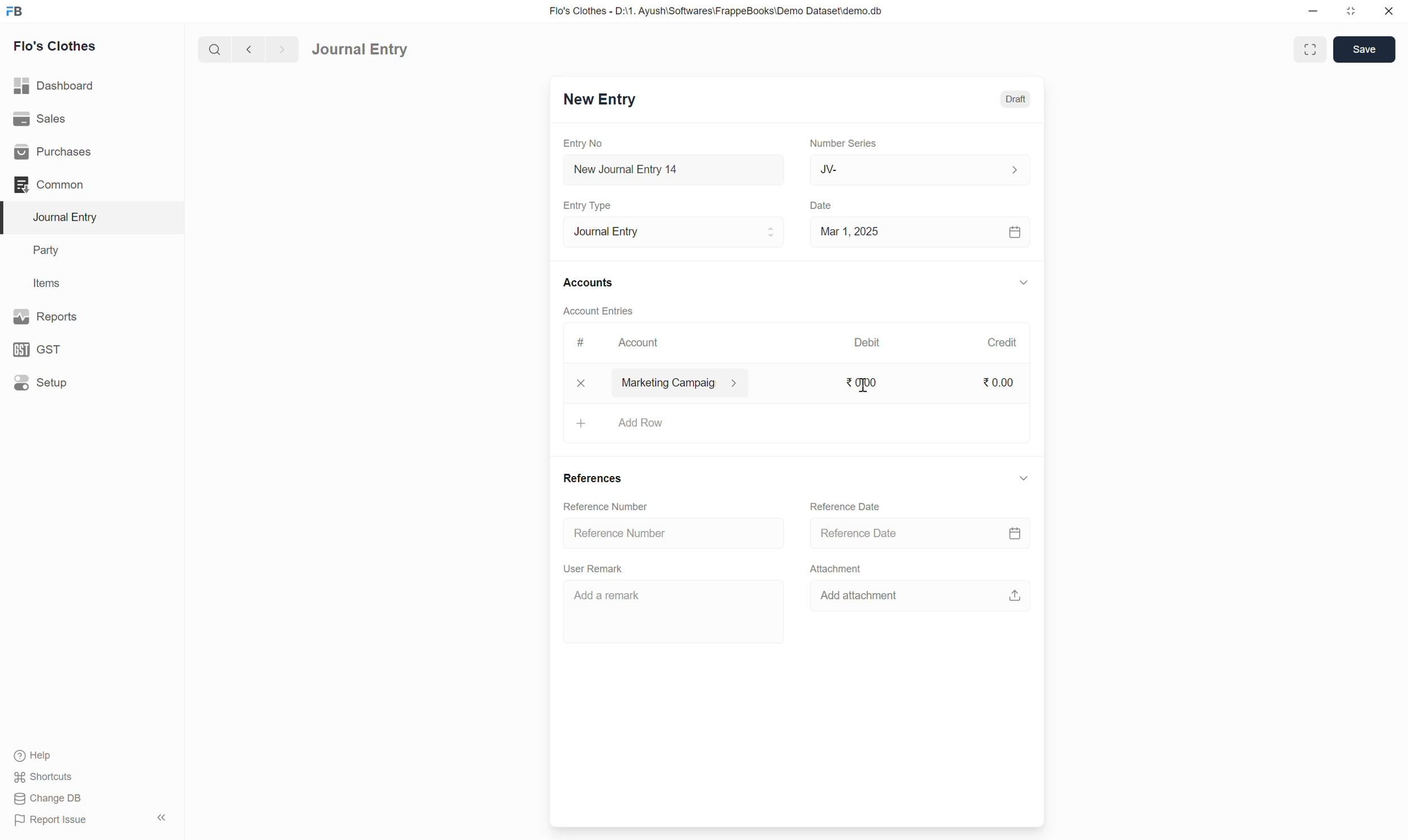 This screenshot has height=840, width=1408. What do you see at coordinates (581, 342) in the screenshot?
I see `#` at bounding box center [581, 342].